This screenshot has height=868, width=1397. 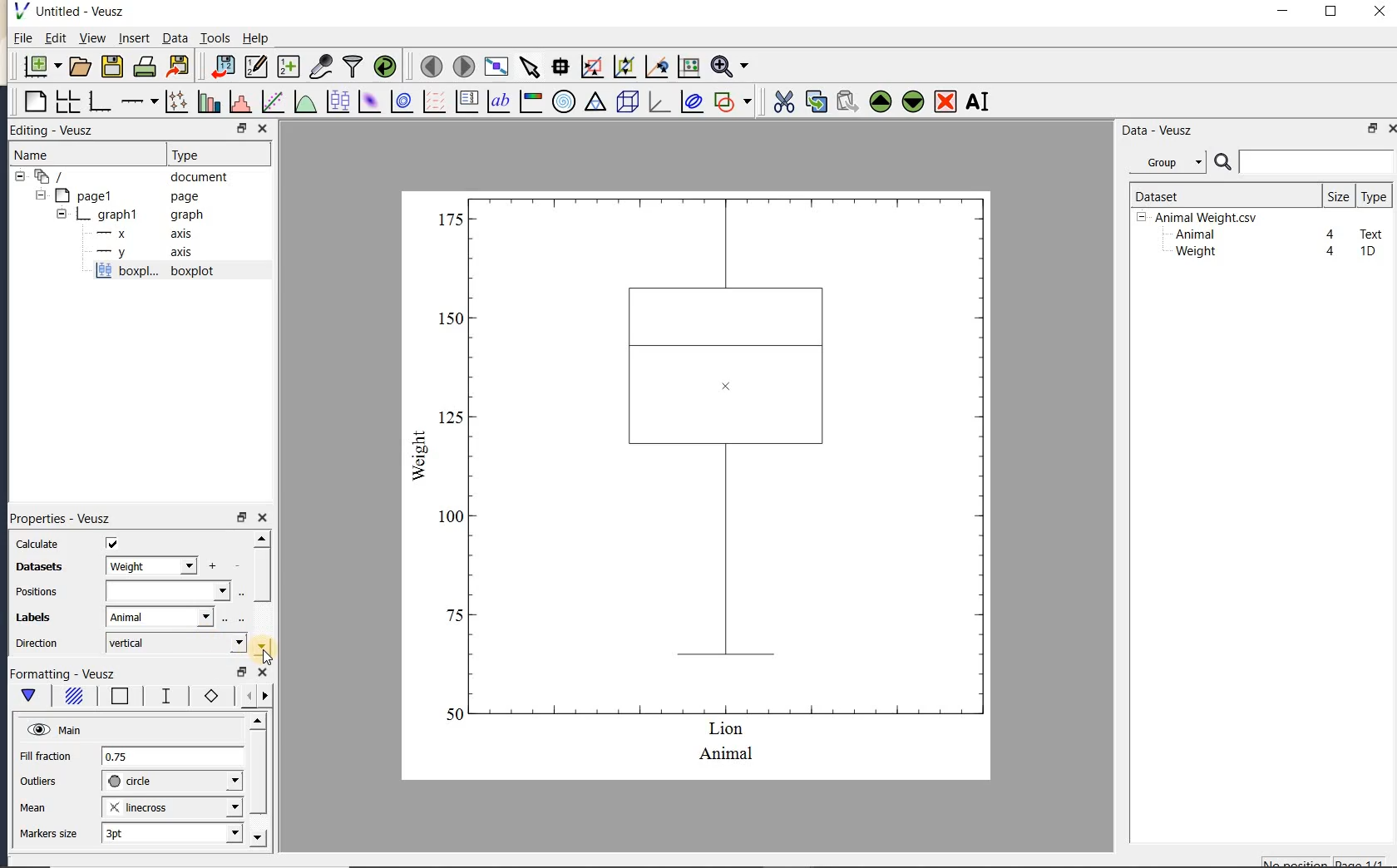 I want to click on plot bar charts, so click(x=209, y=101).